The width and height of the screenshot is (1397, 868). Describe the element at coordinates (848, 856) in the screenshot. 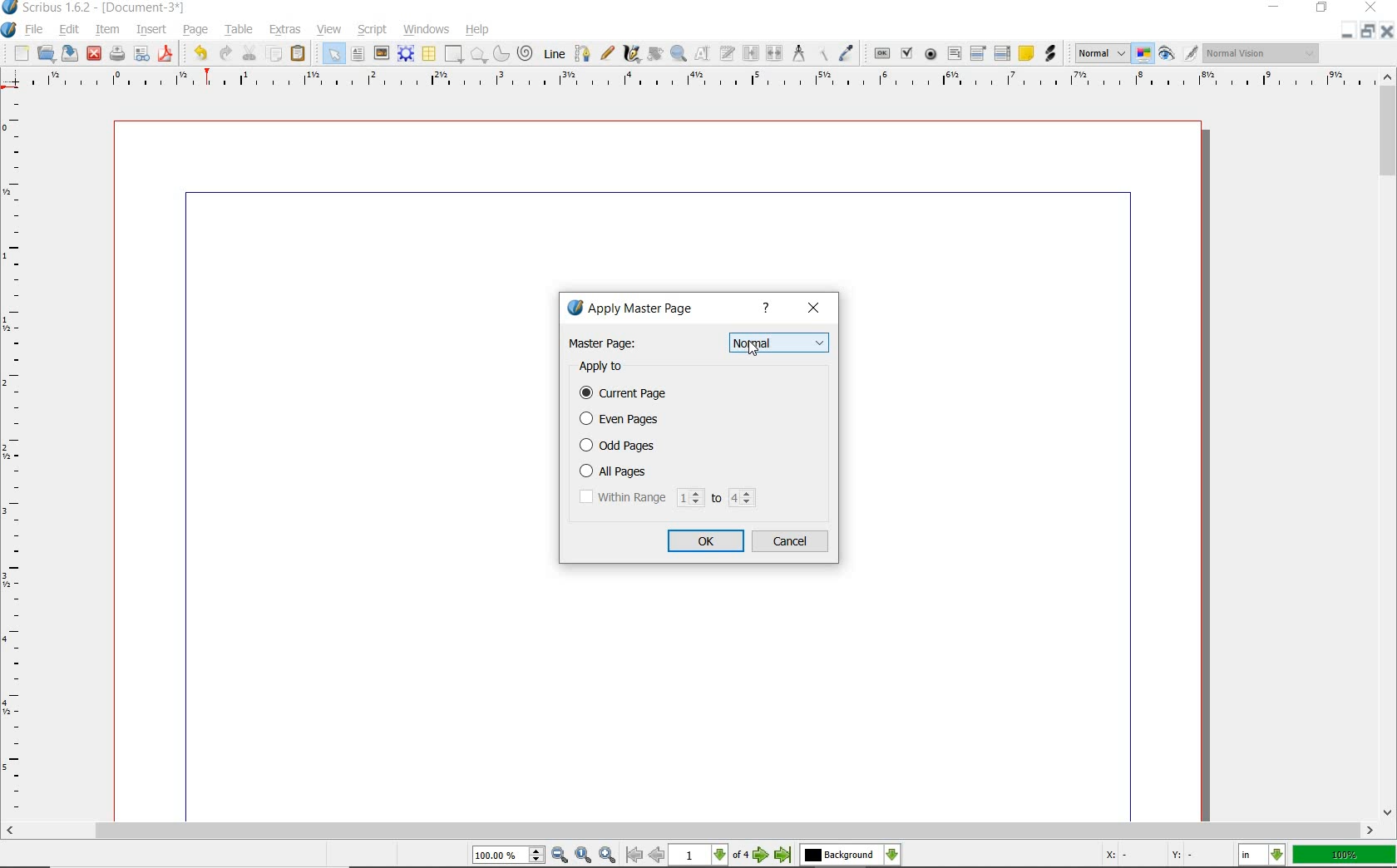

I see `select the current layer` at that location.